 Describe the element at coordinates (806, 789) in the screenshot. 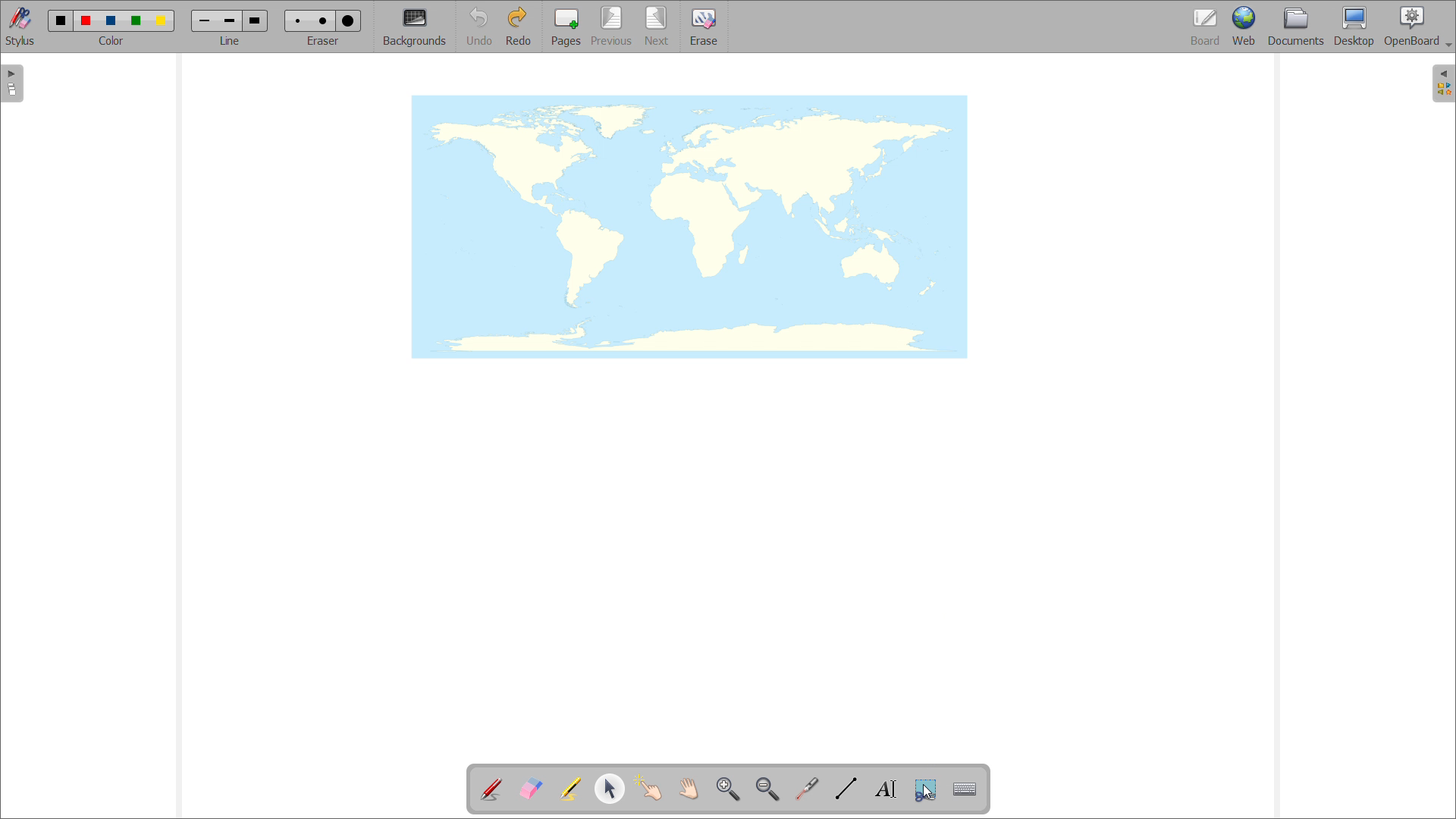

I see `virtual laser pointer` at that location.